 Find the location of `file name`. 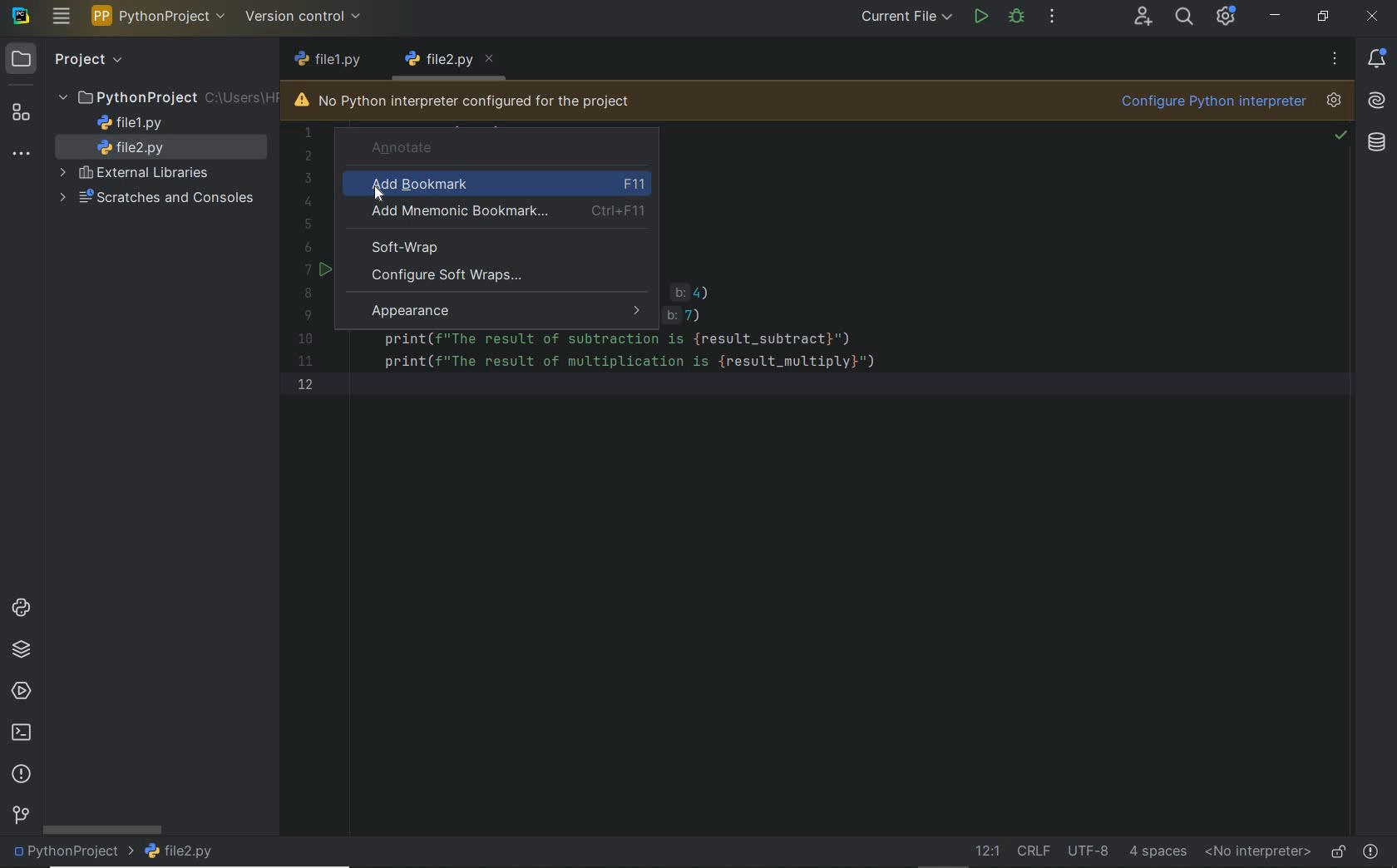

file name is located at coordinates (339, 62).